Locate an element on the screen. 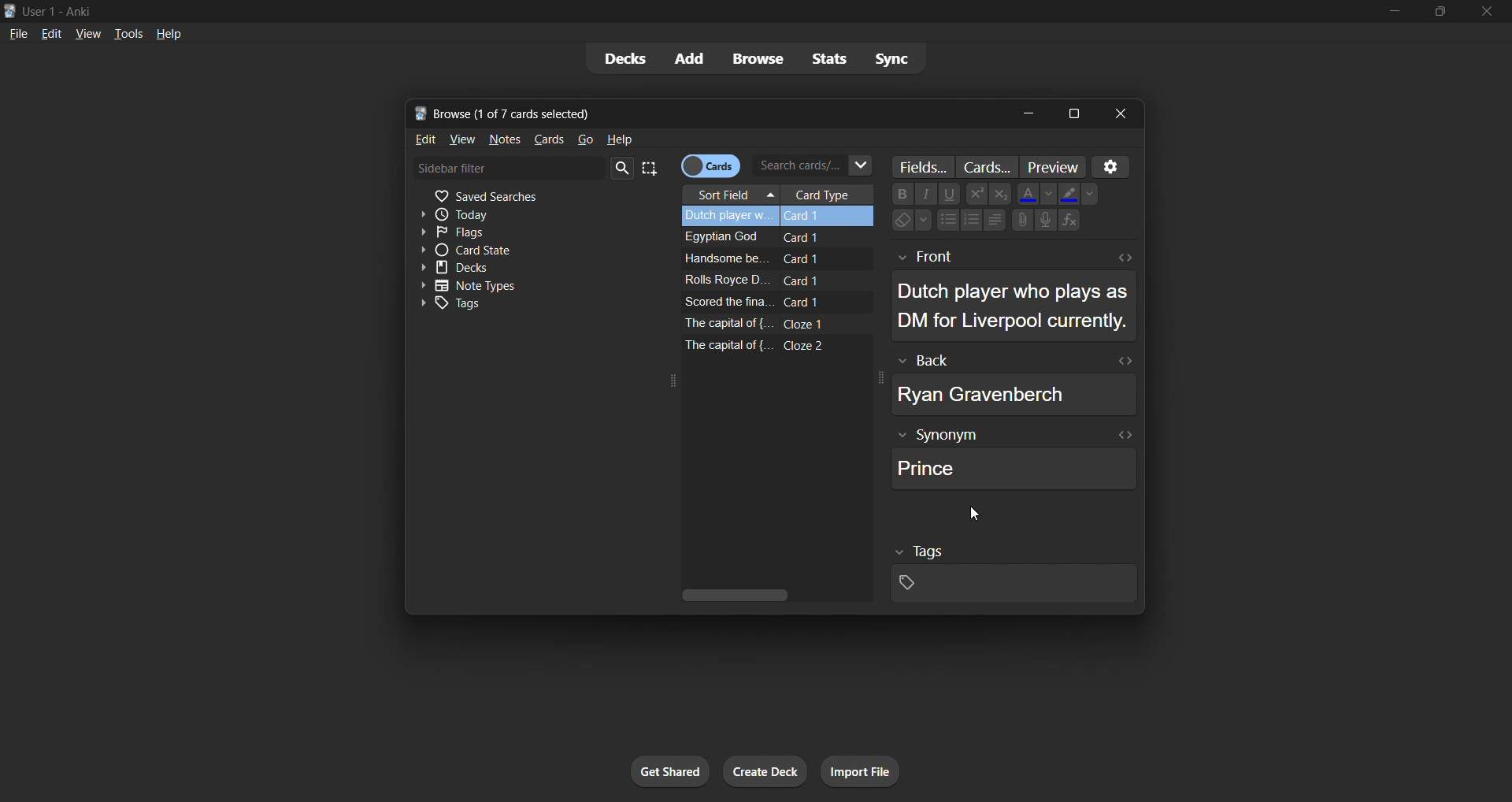 Image resolution: width=1512 pixels, height=802 pixels. underline is located at coordinates (950, 194).